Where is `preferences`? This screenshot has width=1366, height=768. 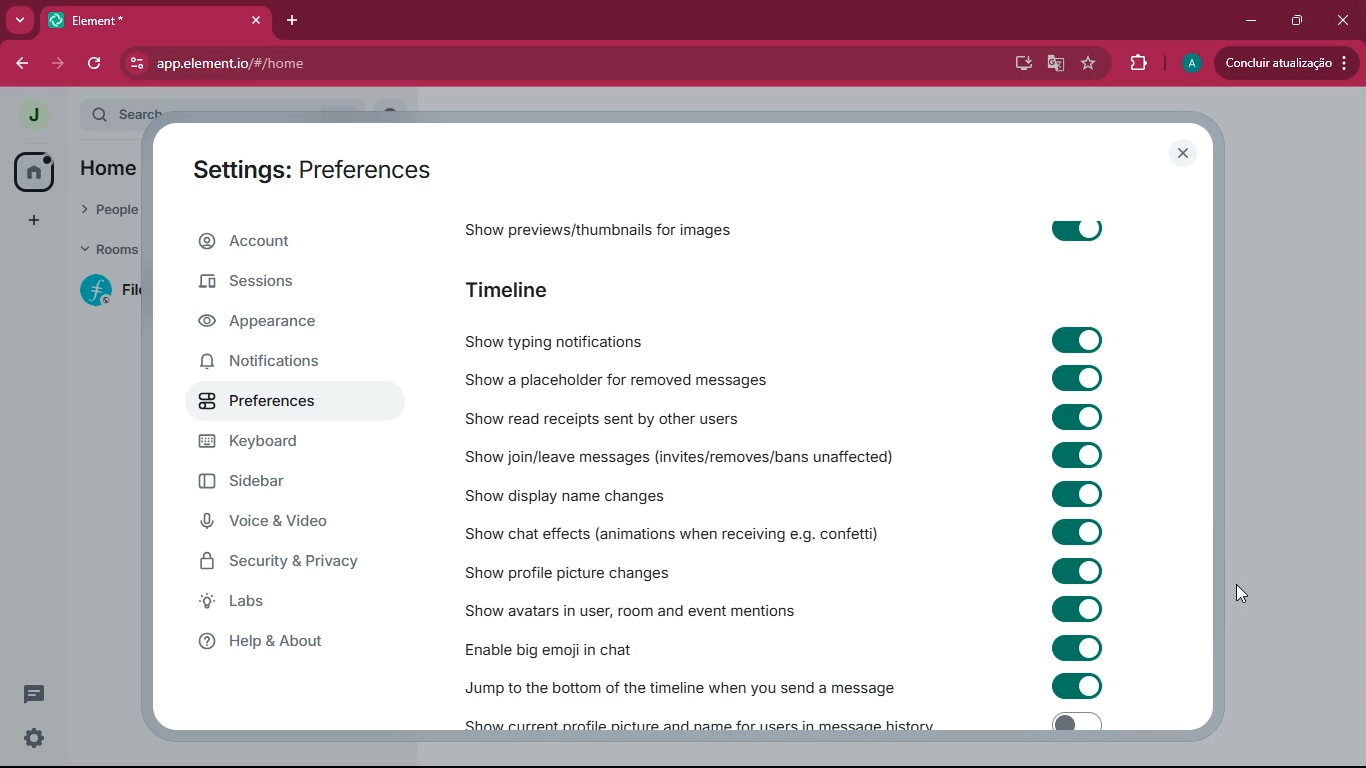
preferences is located at coordinates (281, 400).